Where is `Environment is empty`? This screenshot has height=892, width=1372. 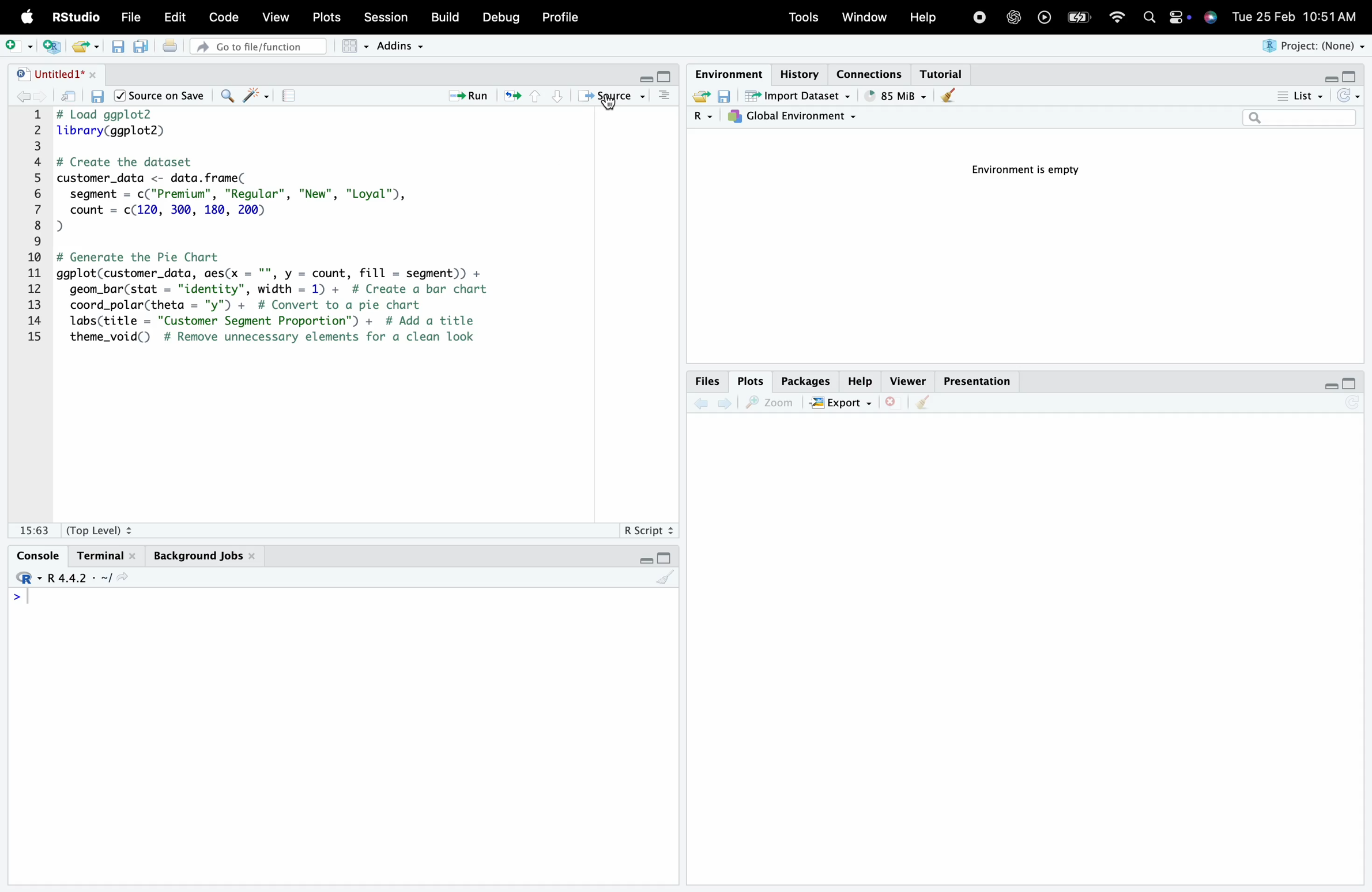
Environment is empty is located at coordinates (1031, 169).